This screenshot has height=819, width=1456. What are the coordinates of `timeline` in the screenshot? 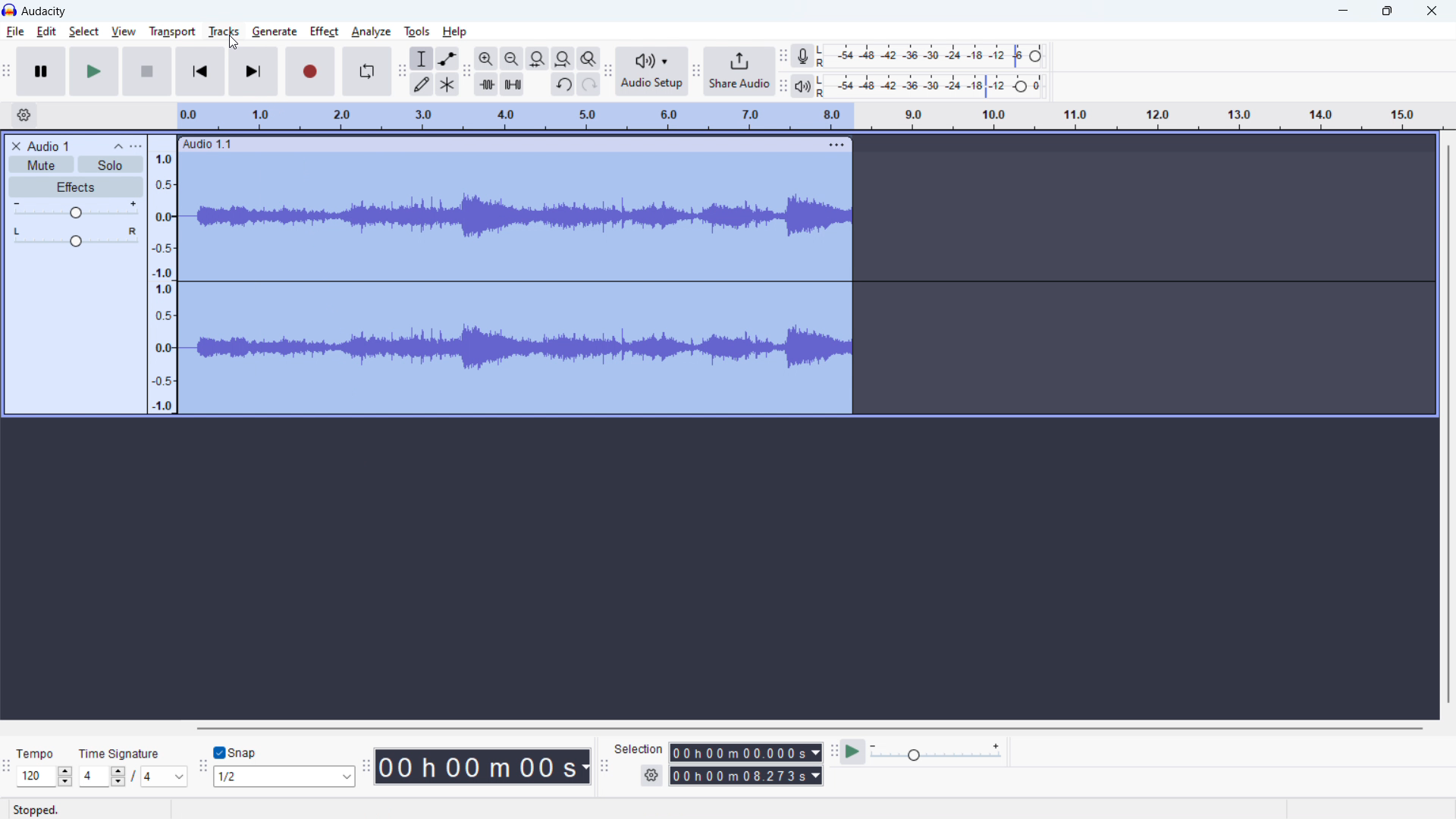 It's located at (163, 274).